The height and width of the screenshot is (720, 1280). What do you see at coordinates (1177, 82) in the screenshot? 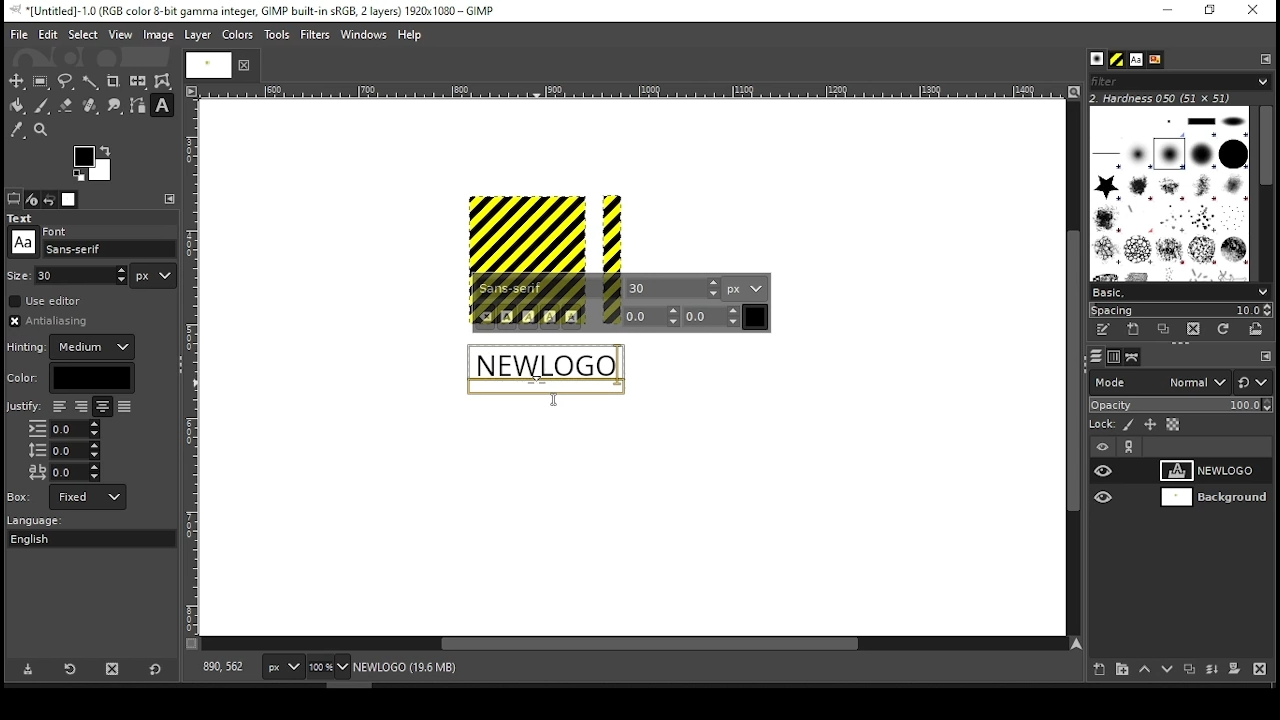
I see `filters` at bounding box center [1177, 82].